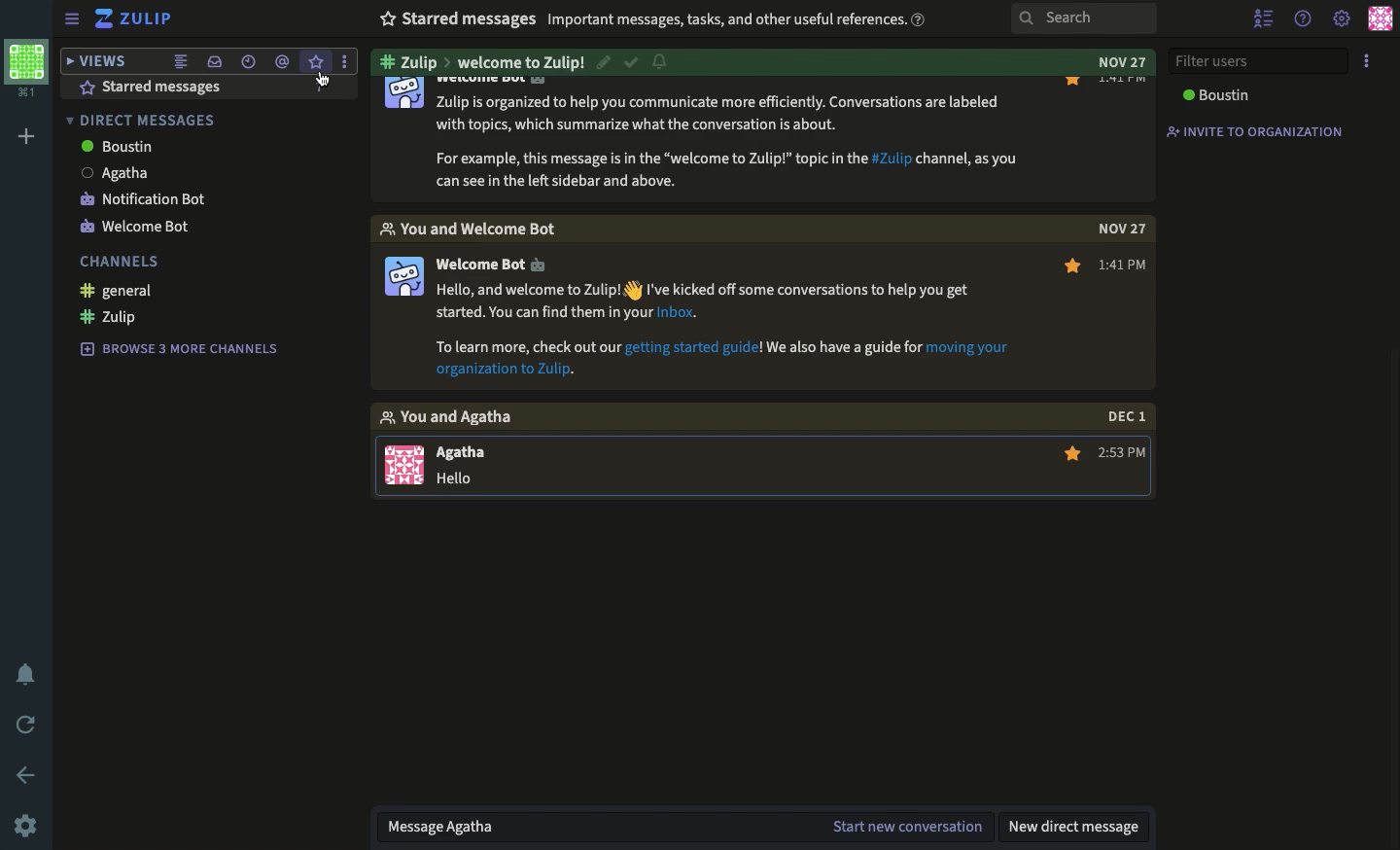 The width and height of the screenshot is (1400, 850). Describe the element at coordinates (1266, 19) in the screenshot. I see `hide user list` at that location.